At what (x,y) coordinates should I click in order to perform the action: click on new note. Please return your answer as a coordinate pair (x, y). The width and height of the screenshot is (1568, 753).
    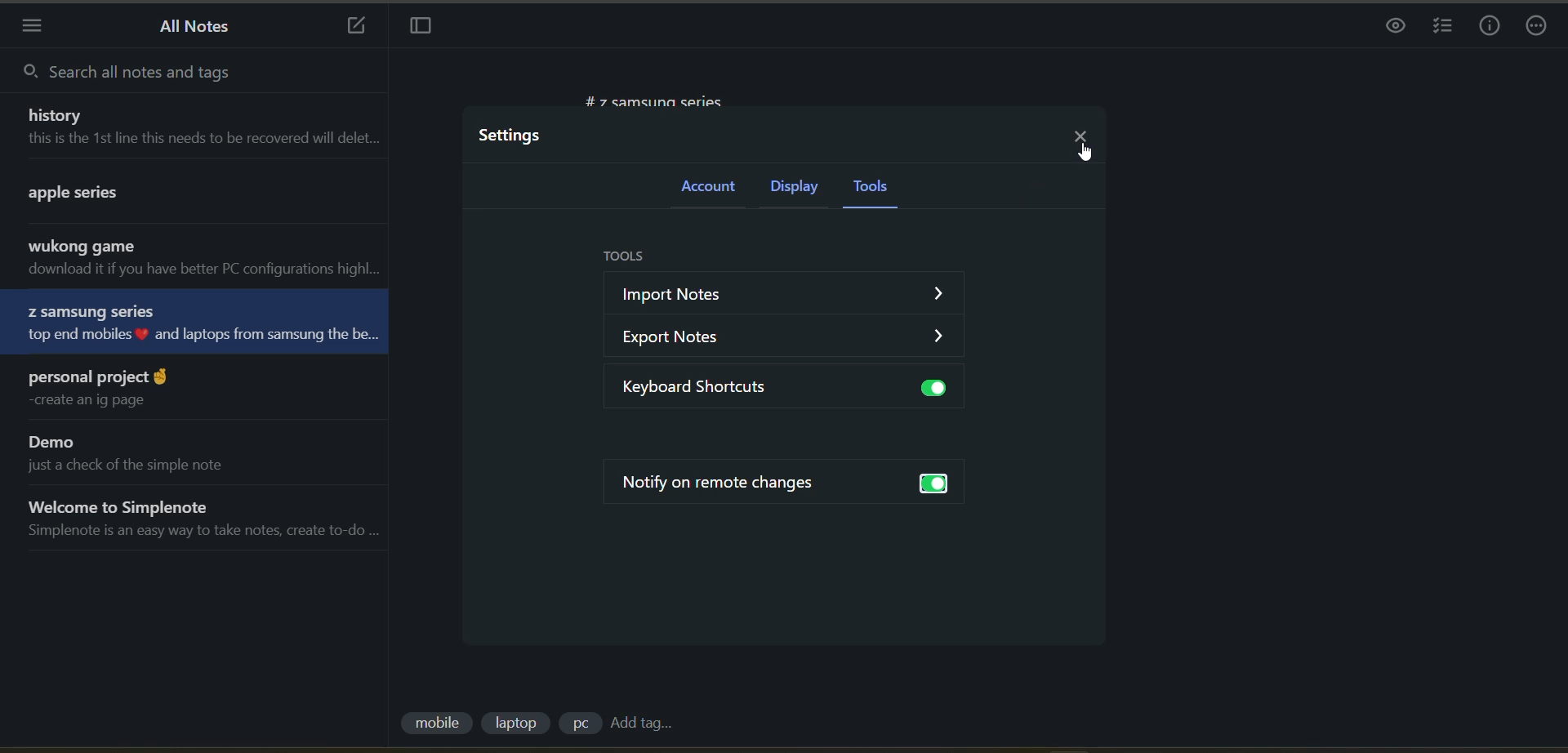
    Looking at the image, I should click on (356, 27).